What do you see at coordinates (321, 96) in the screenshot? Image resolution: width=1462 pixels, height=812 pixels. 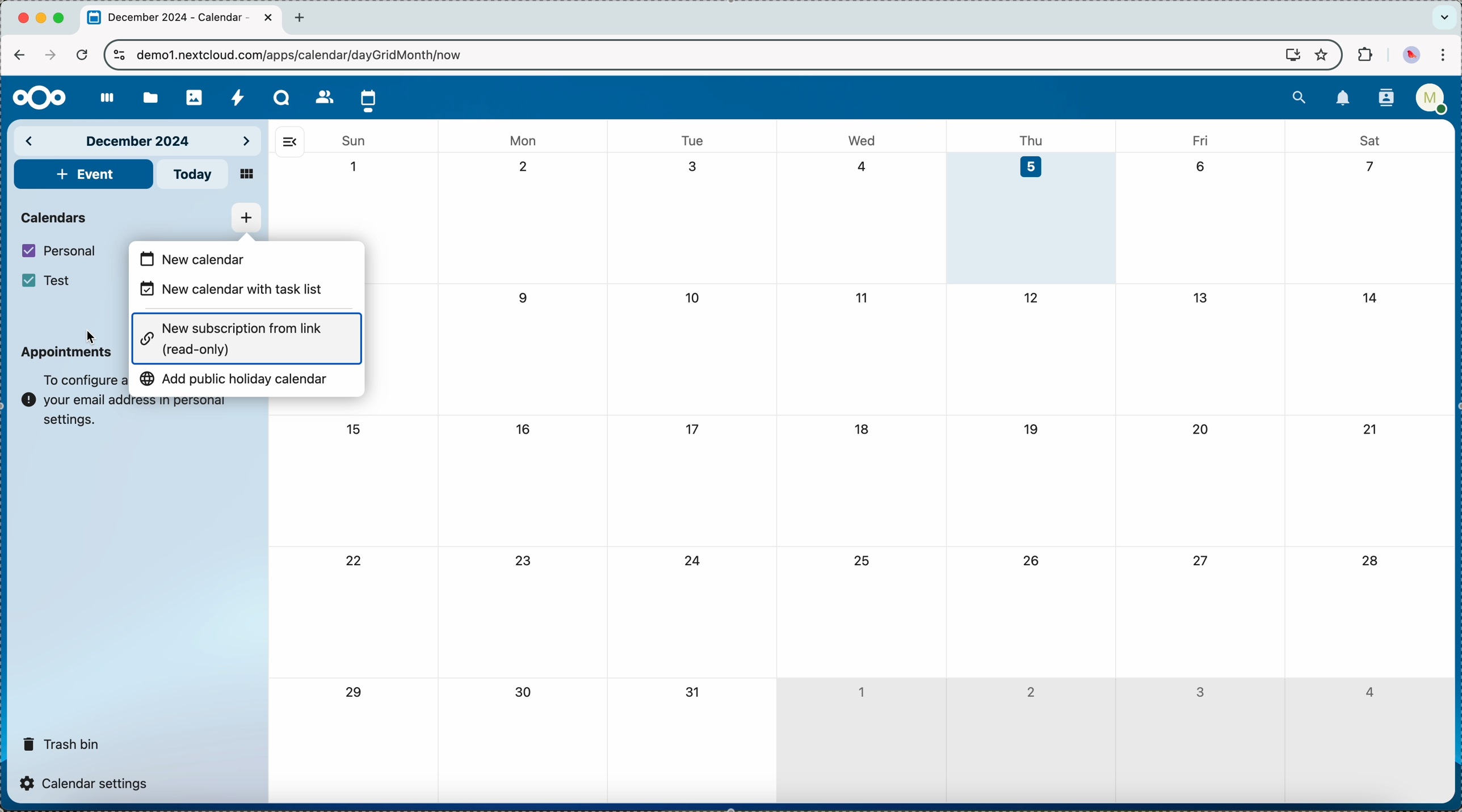 I see `contacts` at bounding box center [321, 96].